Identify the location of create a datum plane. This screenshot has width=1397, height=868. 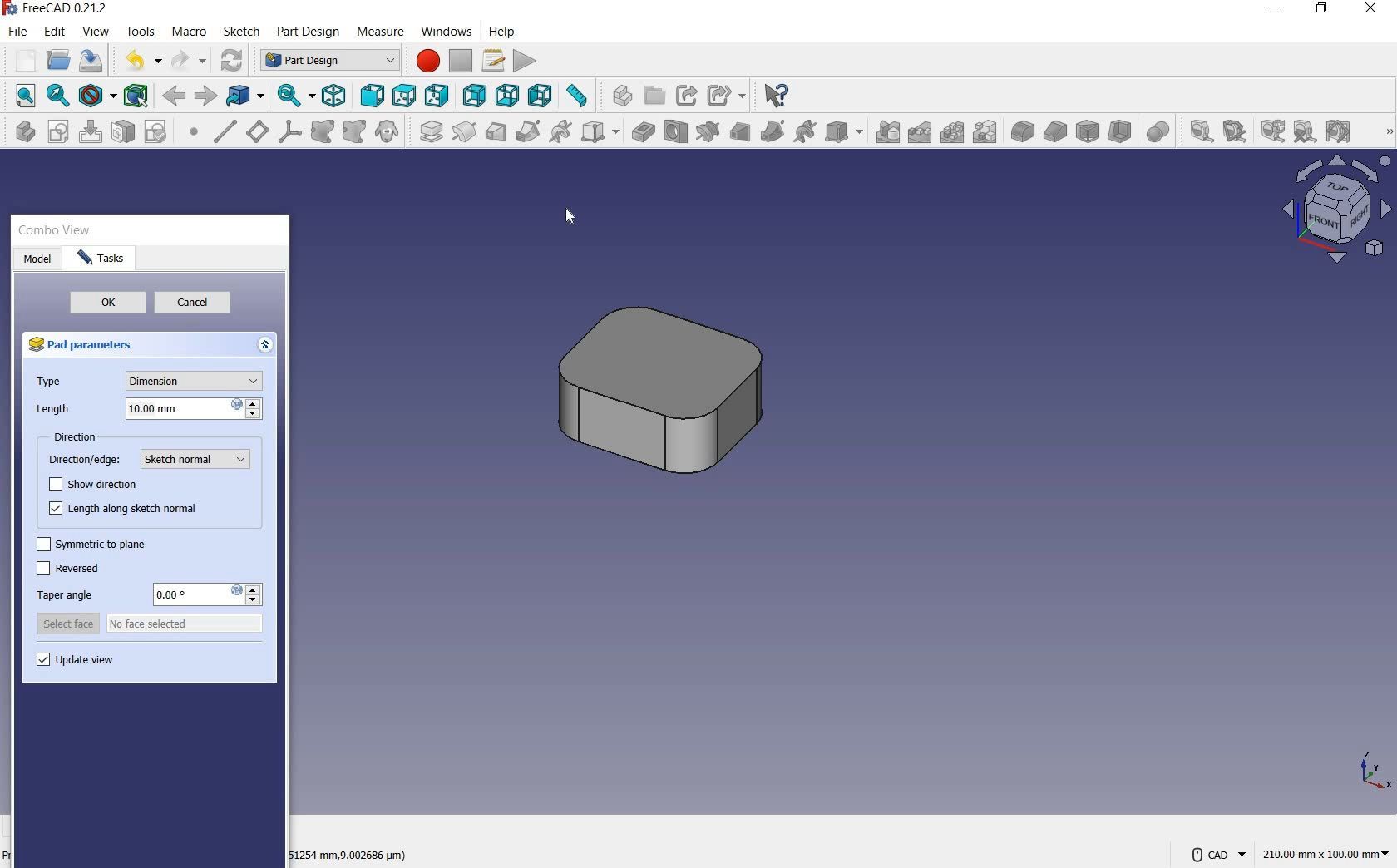
(258, 131).